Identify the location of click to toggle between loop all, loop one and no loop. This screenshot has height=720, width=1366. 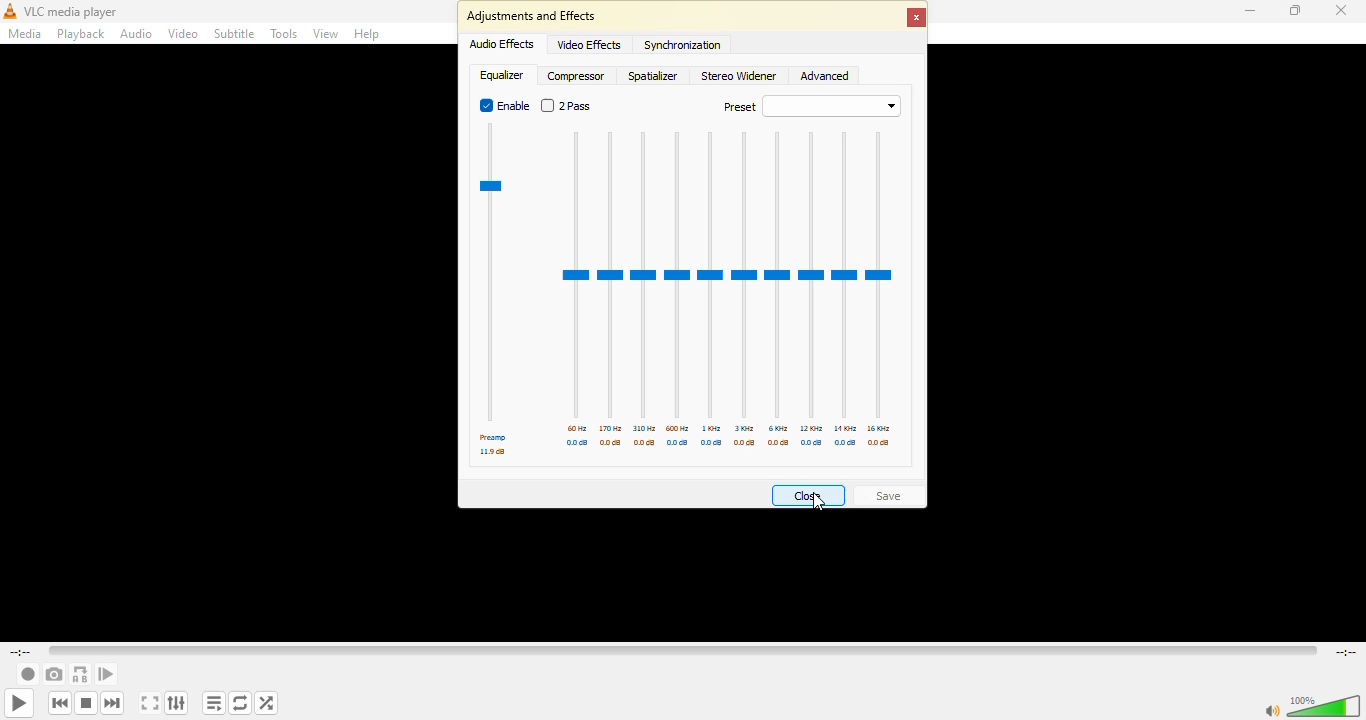
(240, 703).